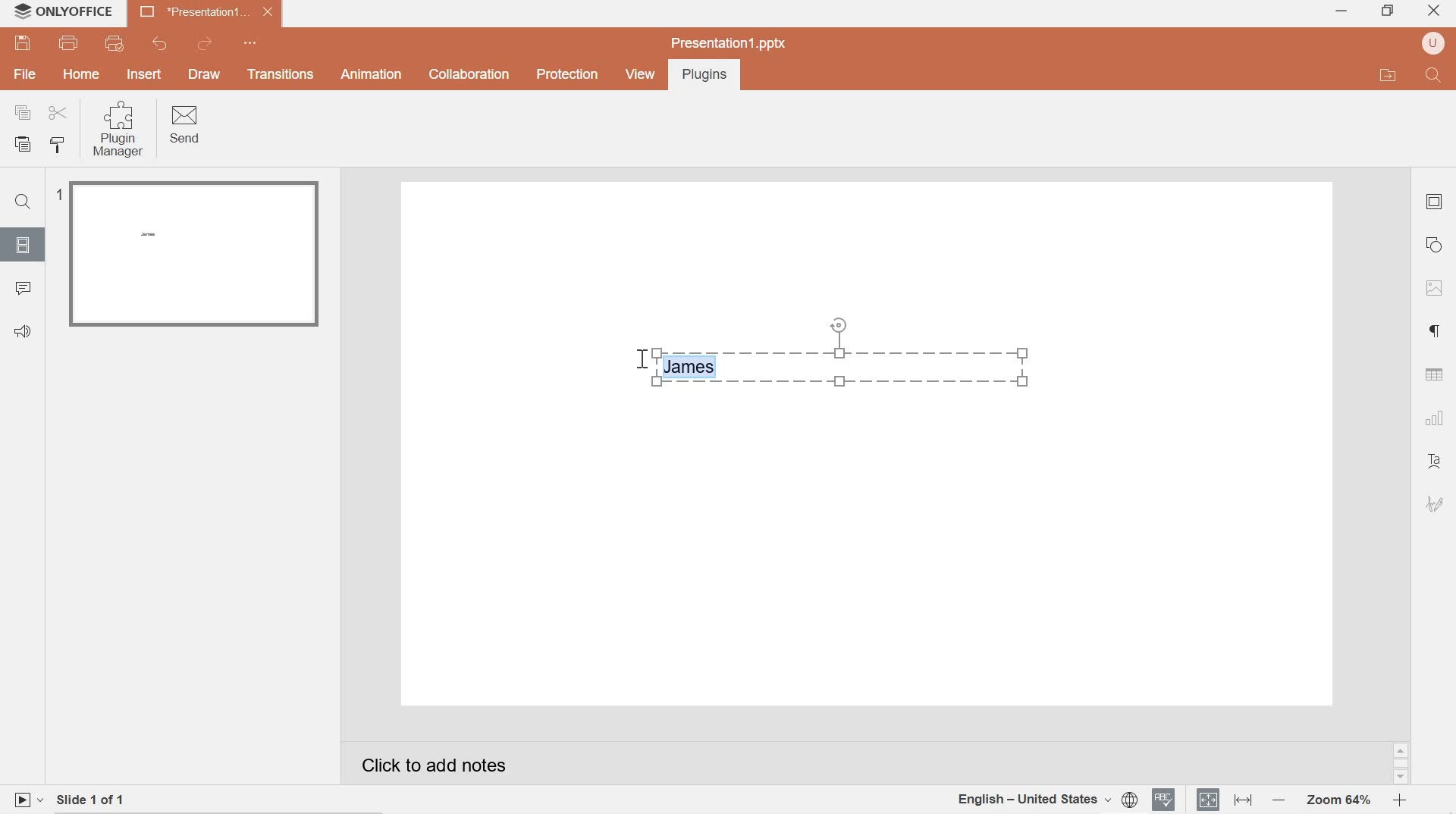 The image size is (1456, 814). I want to click on Zoom out, so click(1278, 800).